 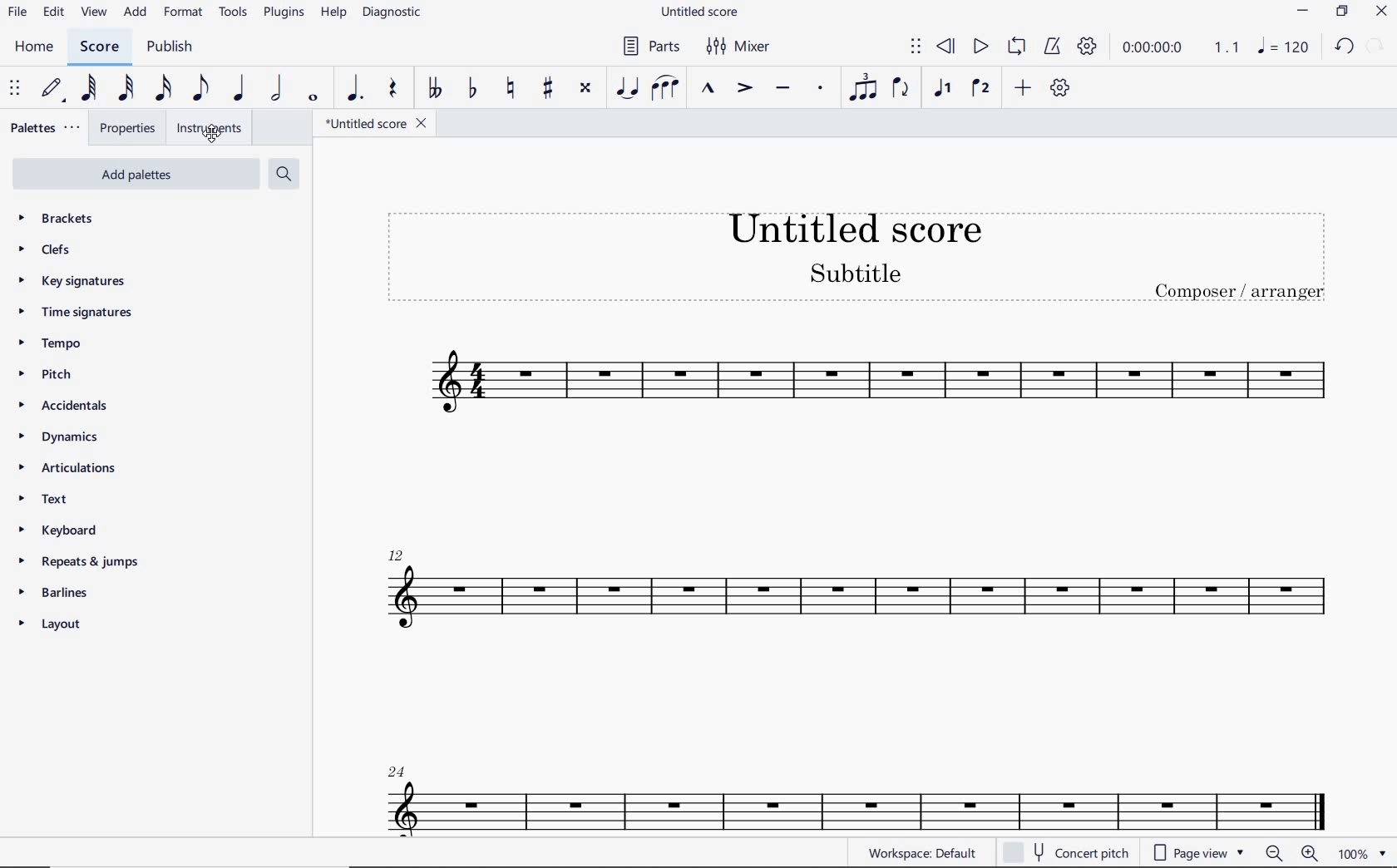 What do you see at coordinates (53, 14) in the screenshot?
I see `edit` at bounding box center [53, 14].